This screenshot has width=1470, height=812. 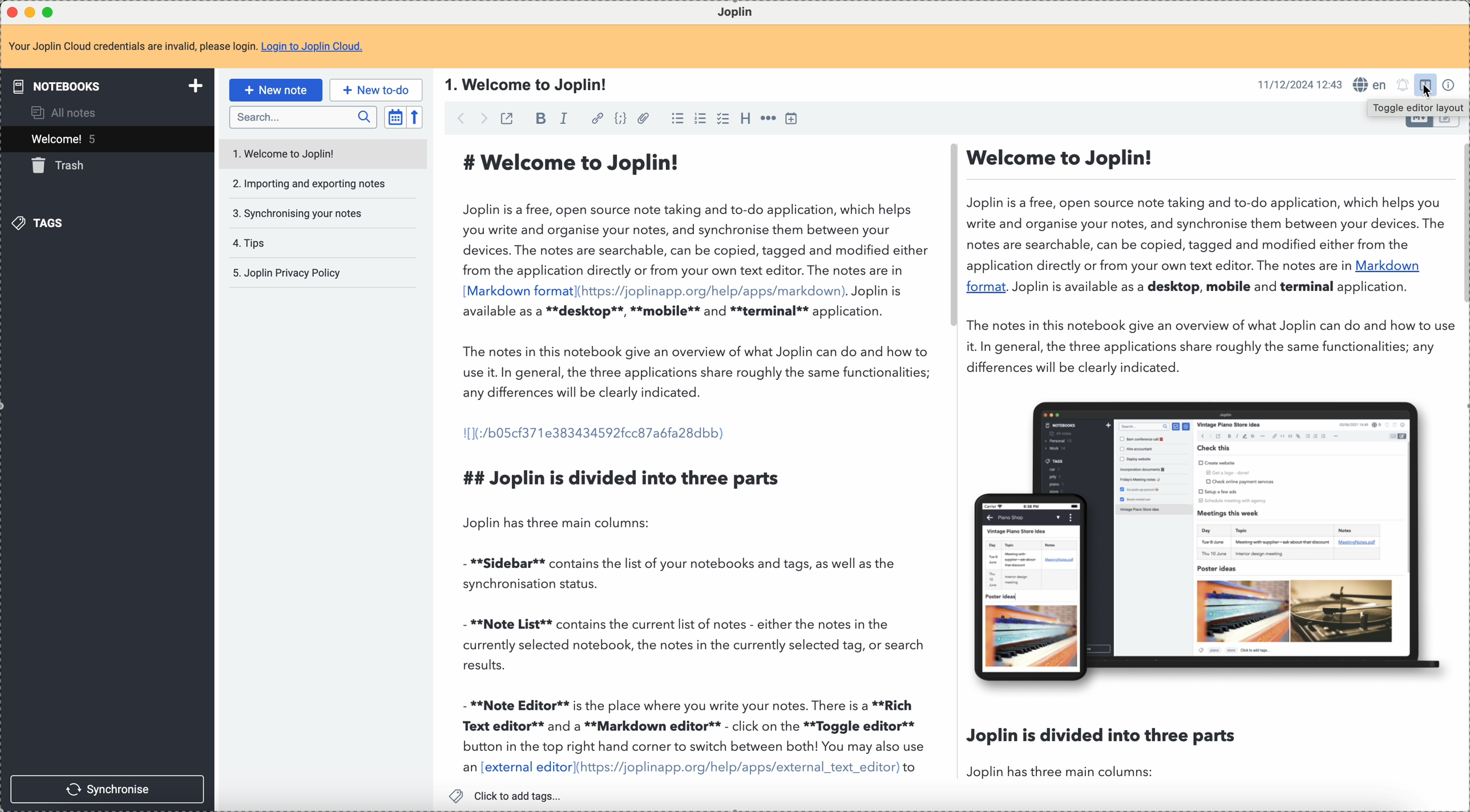 What do you see at coordinates (673, 313) in the screenshot?
I see `available as a **desktop**, **mobile** and **terminal** application.` at bounding box center [673, 313].